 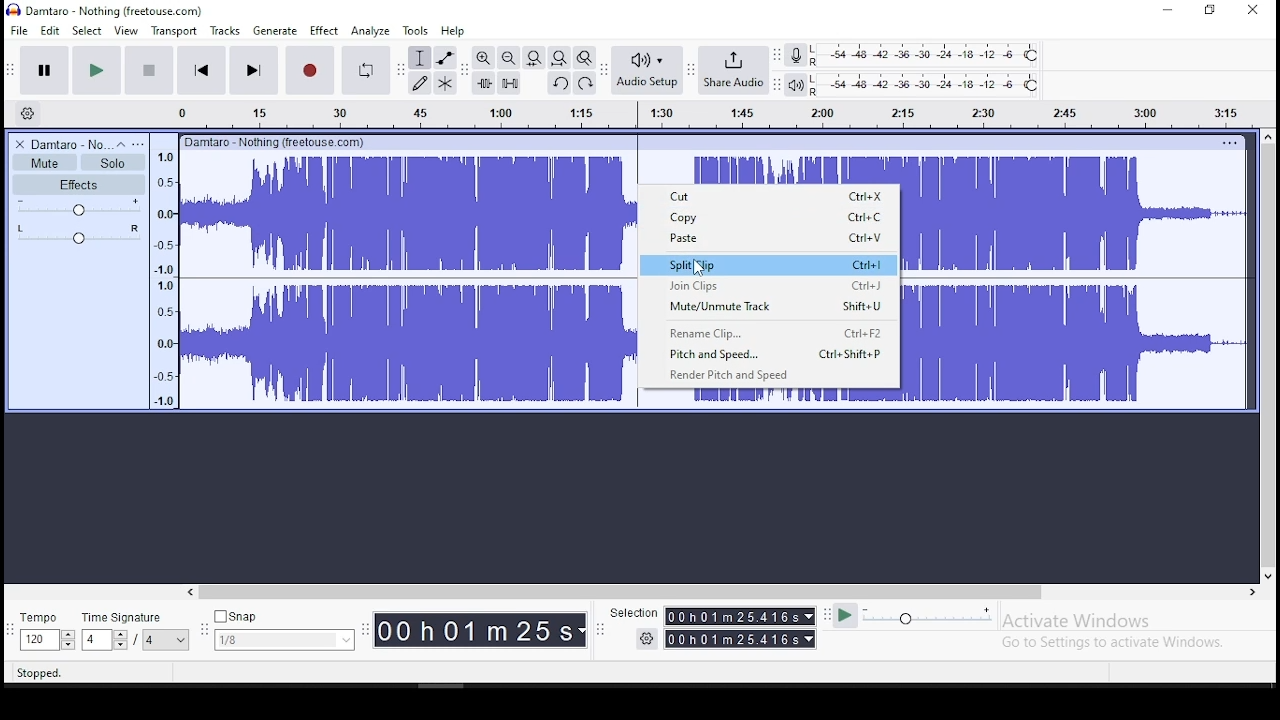 What do you see at coordinates (621, 591) in the screenshot?
I see `scroll bar` at bounding box center [621, 591].